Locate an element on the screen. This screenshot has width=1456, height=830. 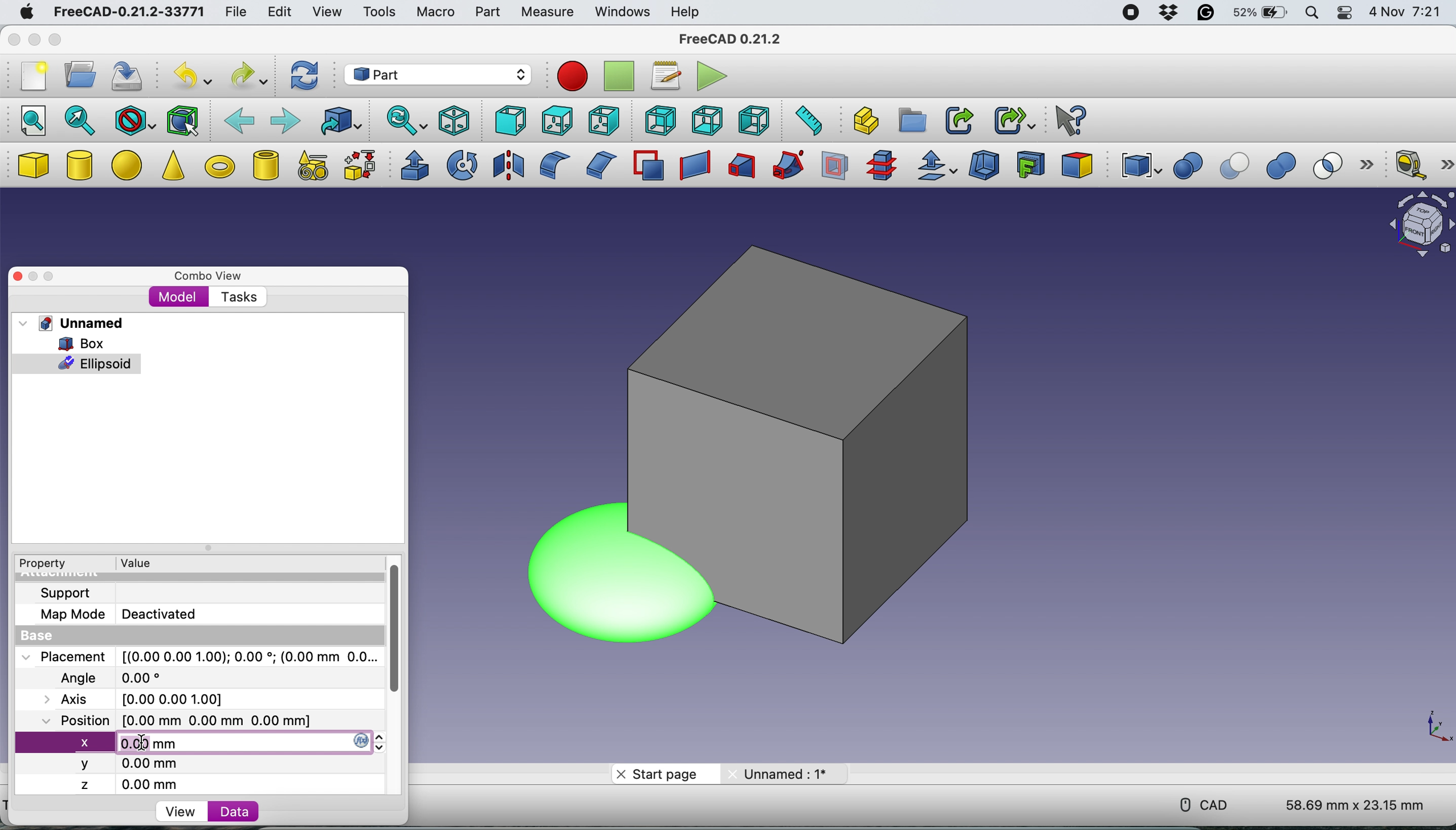
x 0.00 mm is located at coordinates (205, 743).